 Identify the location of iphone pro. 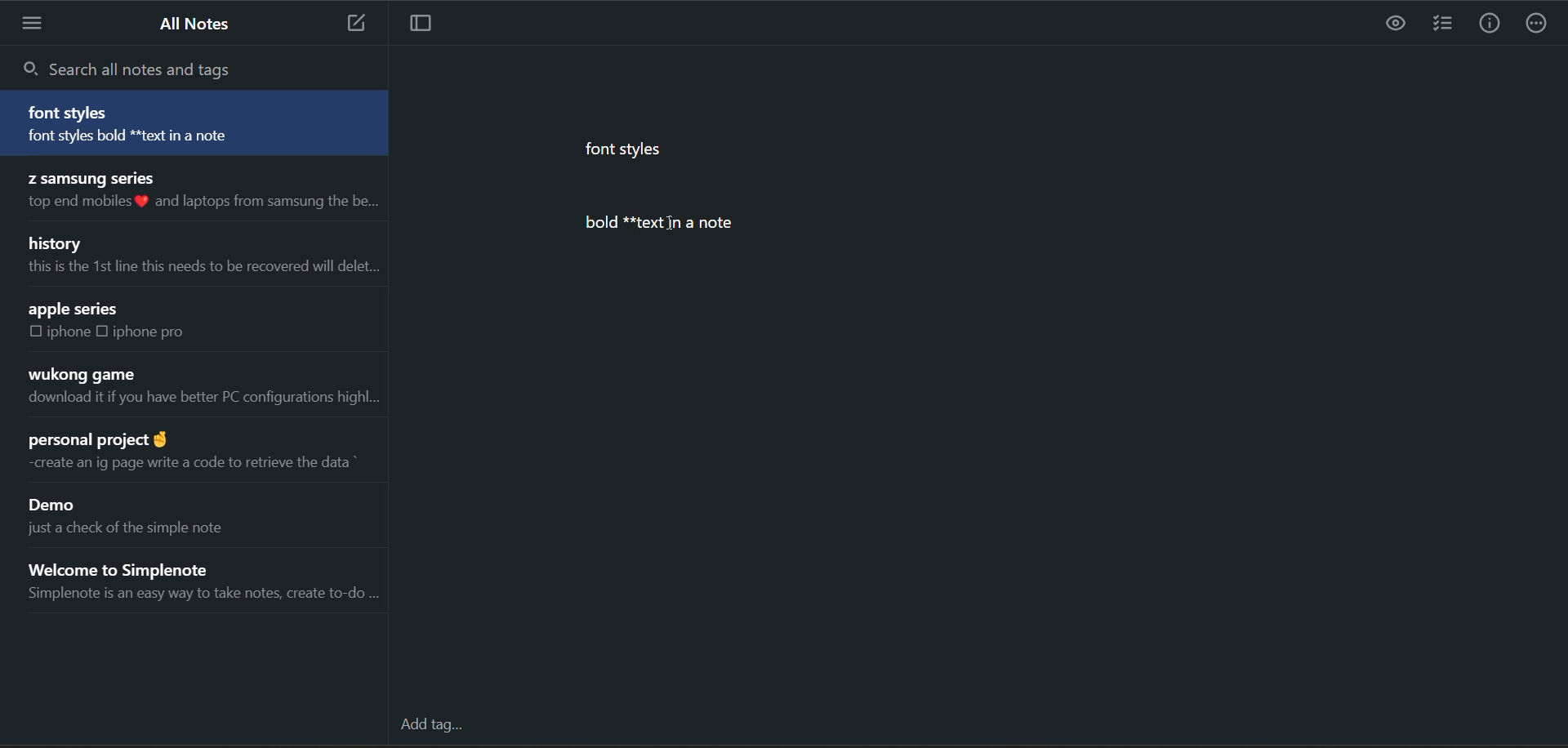
(150, 332).